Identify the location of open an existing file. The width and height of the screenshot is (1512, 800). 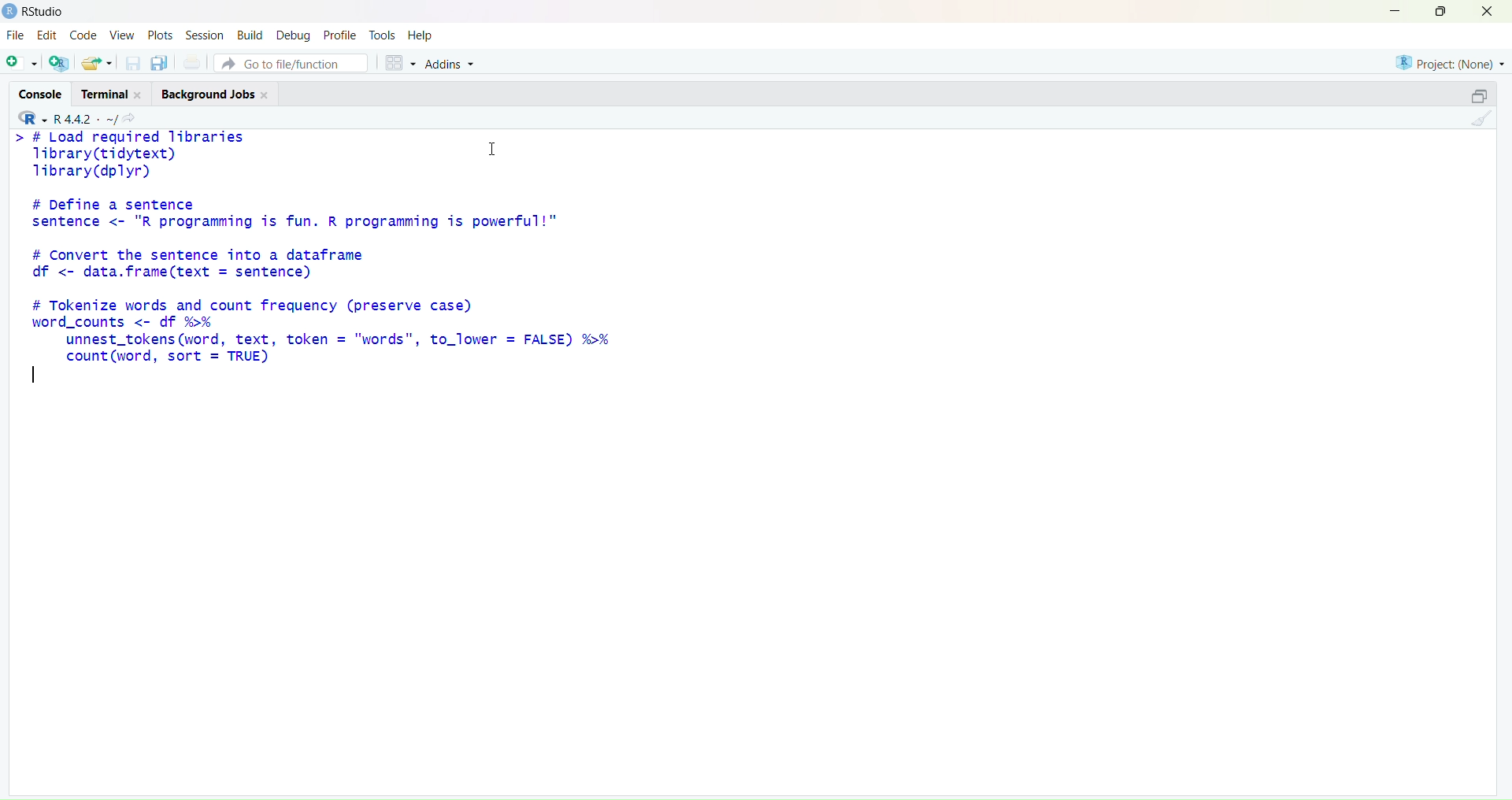
(98, 63).